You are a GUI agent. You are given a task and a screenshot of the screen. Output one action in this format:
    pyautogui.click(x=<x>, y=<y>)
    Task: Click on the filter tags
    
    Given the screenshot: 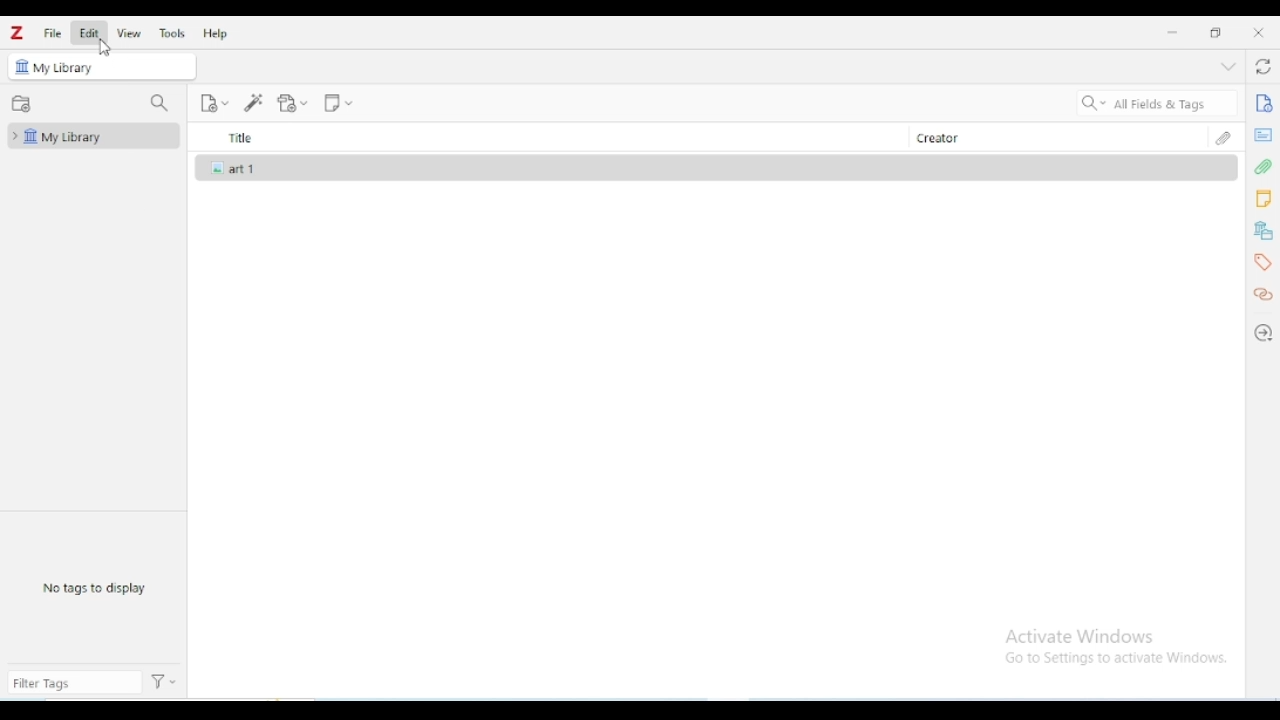 What is the action you would take?
    pyautogui.click(x=74, y=682)
    